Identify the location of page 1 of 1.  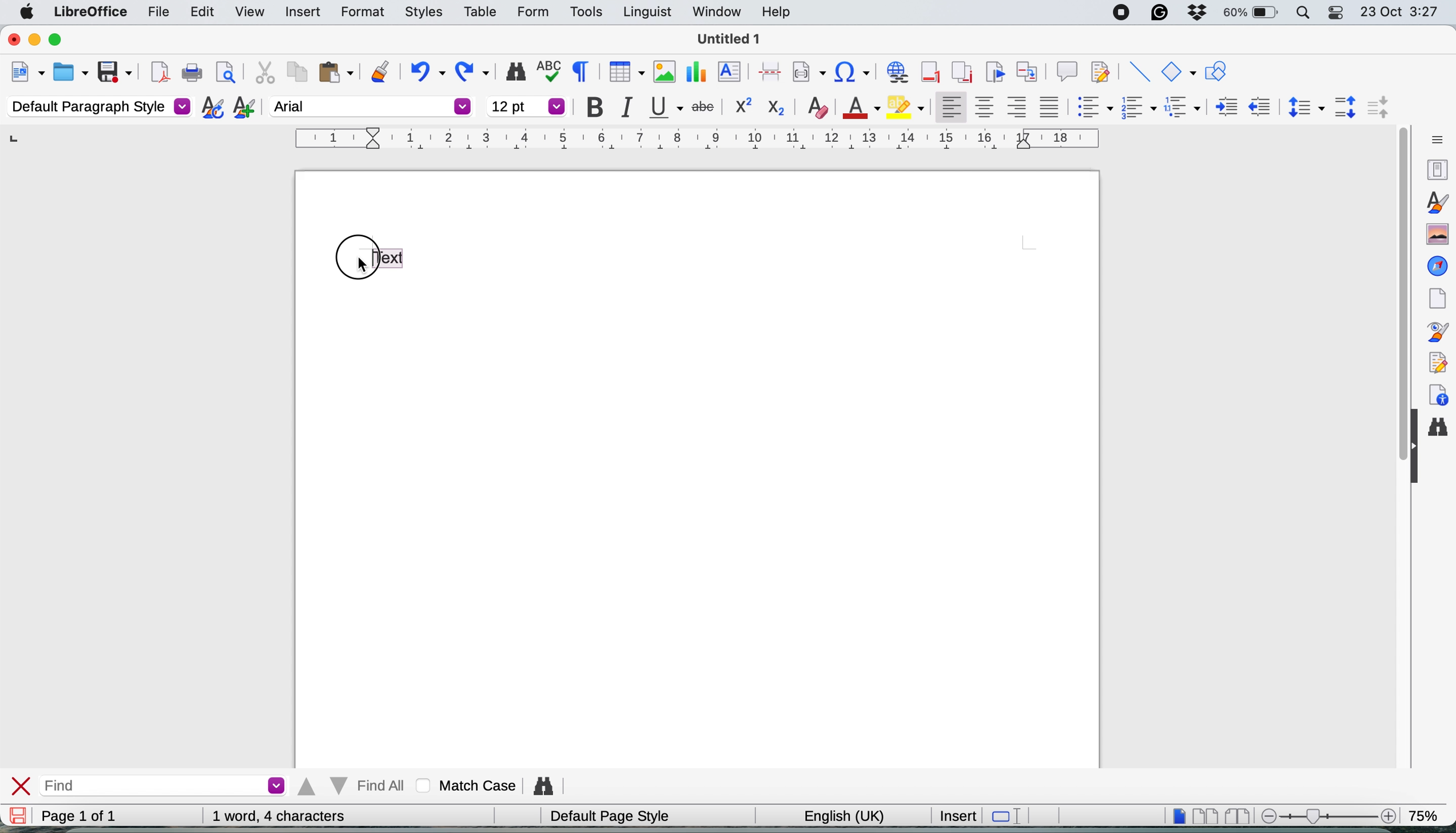
(77, 816).